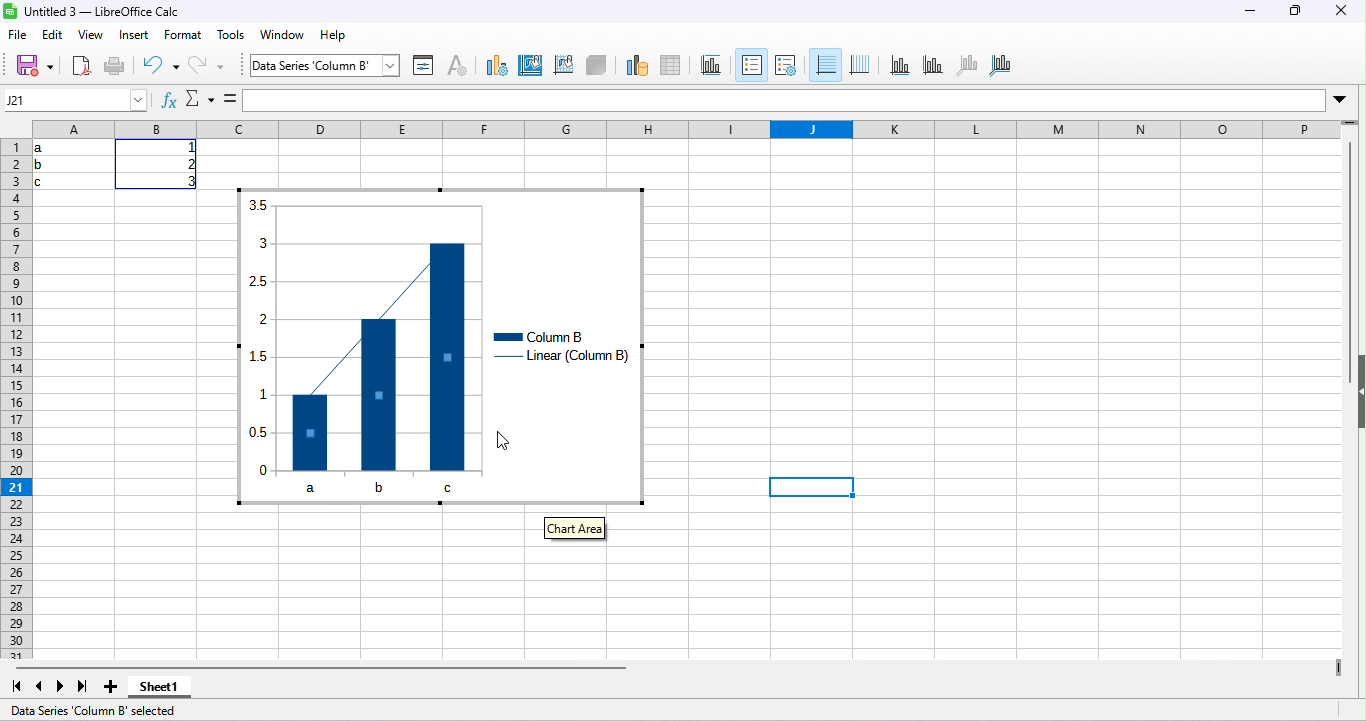 Image resolution: width=1366 pixels, height=722 pixels. I want to click on y axis, so click(939, 65).